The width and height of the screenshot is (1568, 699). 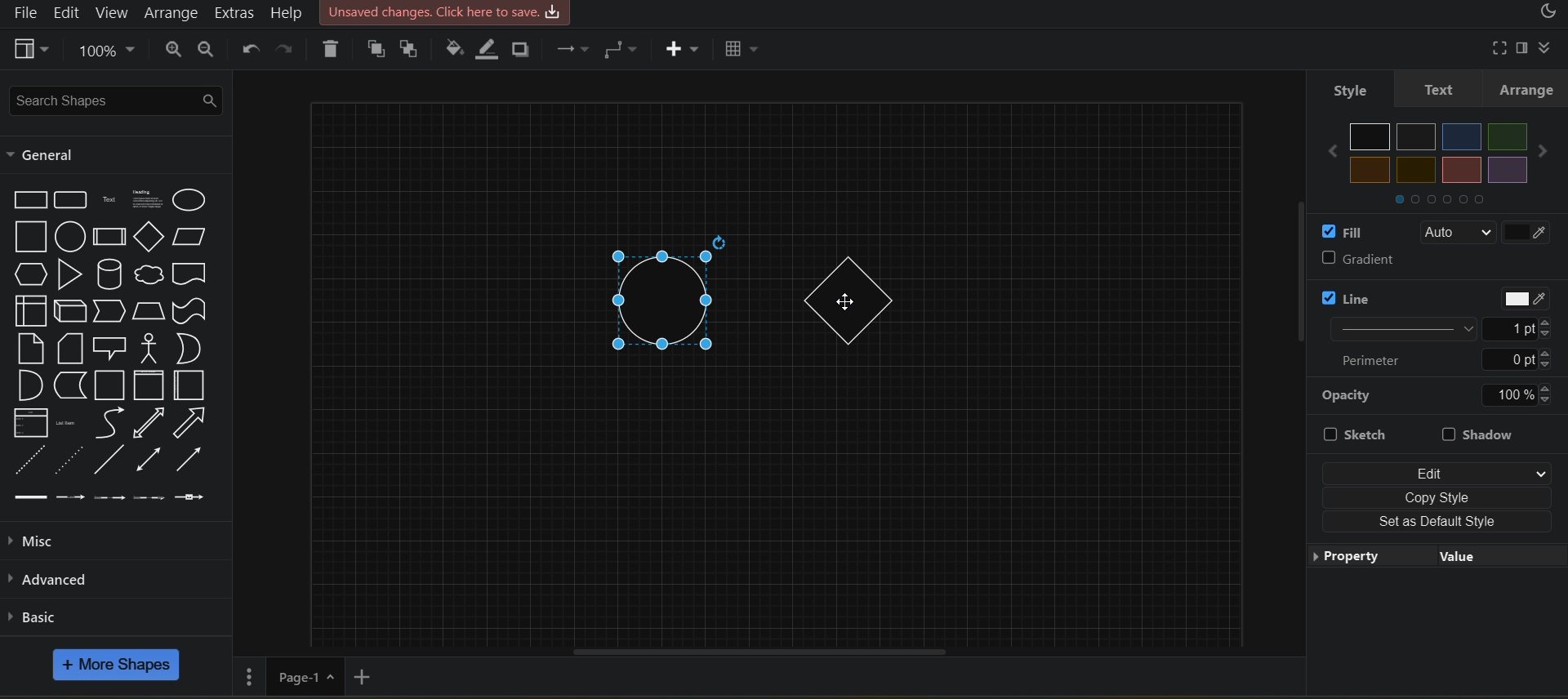 I want to click on Circle, so click(x=70, y=236).